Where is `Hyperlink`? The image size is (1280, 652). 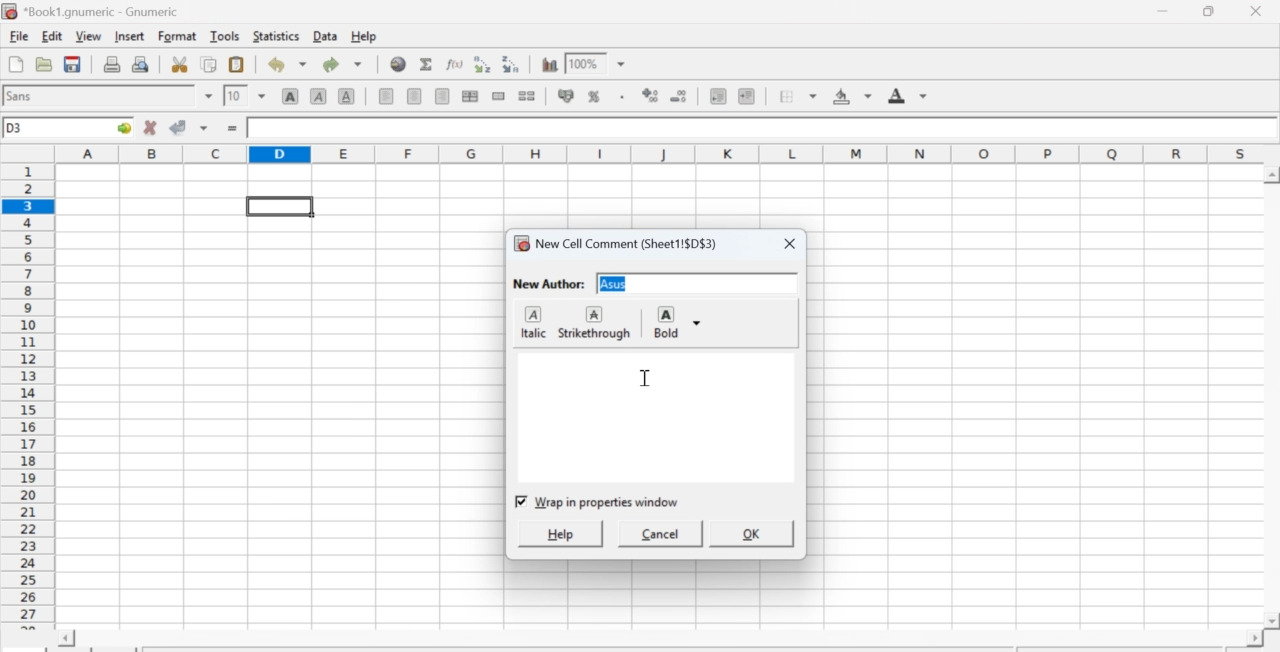
Hyperlink is located at coordinates (398, 65).